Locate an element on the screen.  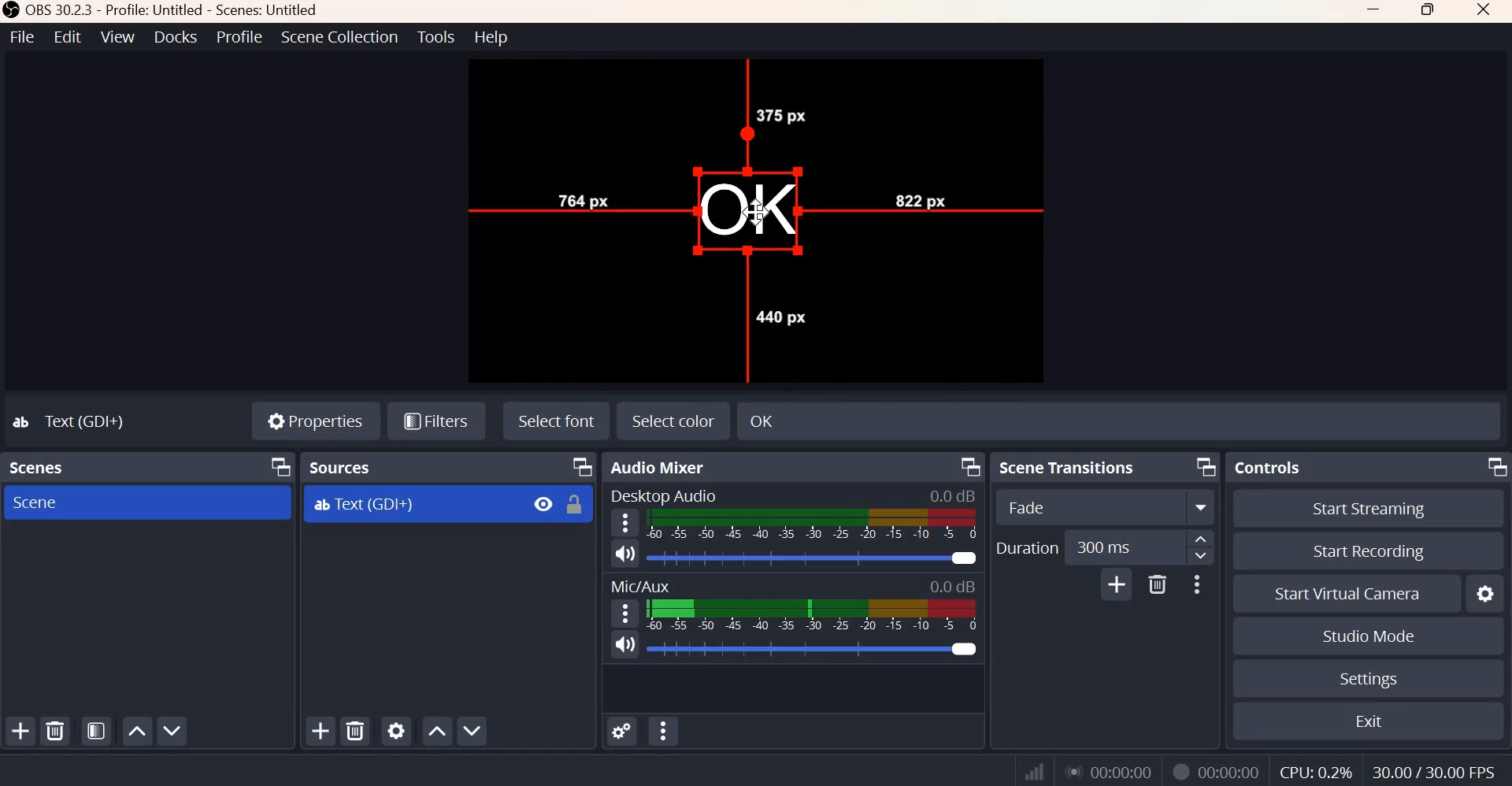
Profile is located at coordinates (240, 36).